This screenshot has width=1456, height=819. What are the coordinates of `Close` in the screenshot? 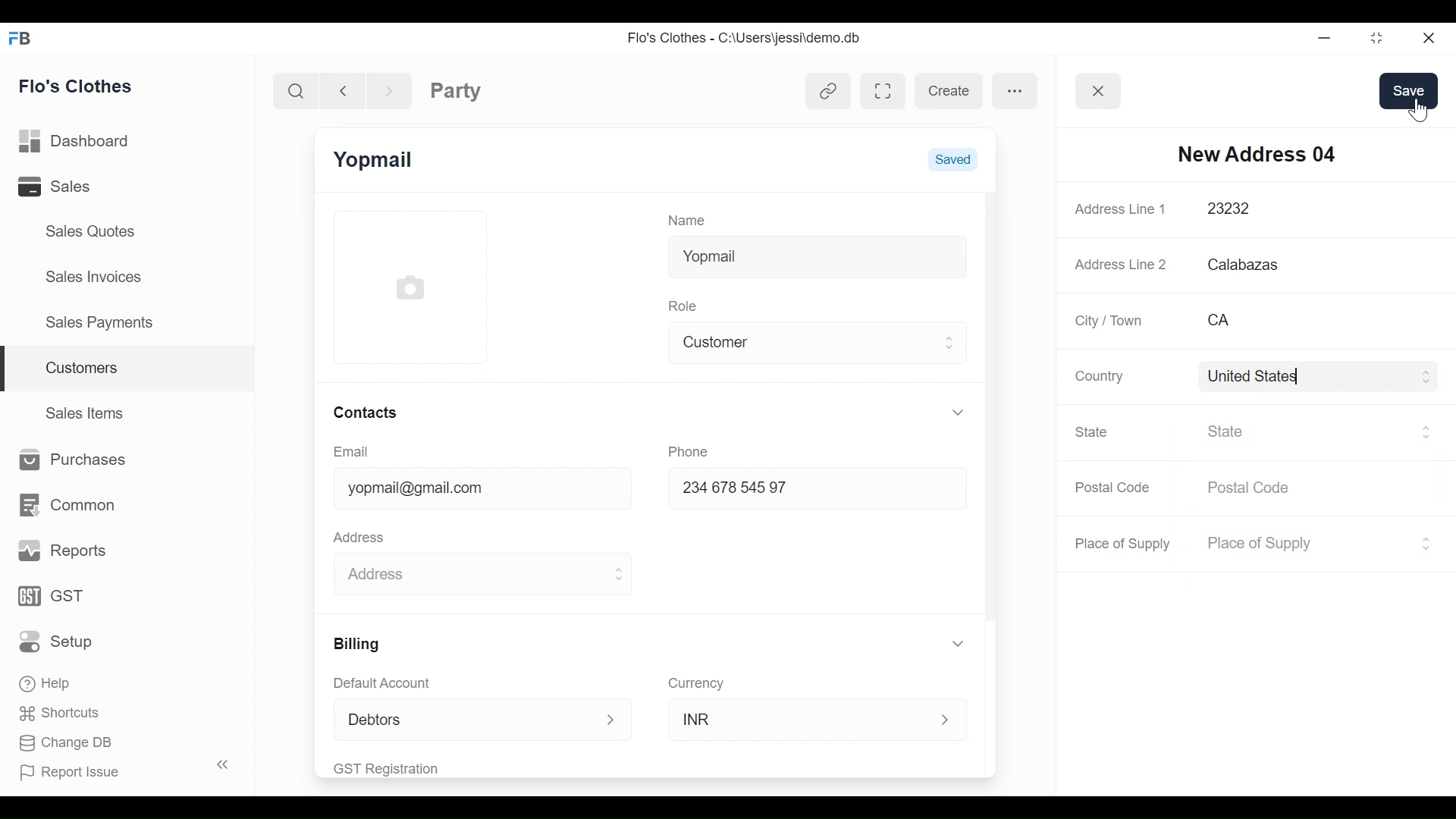 It's located at (1426, 37).